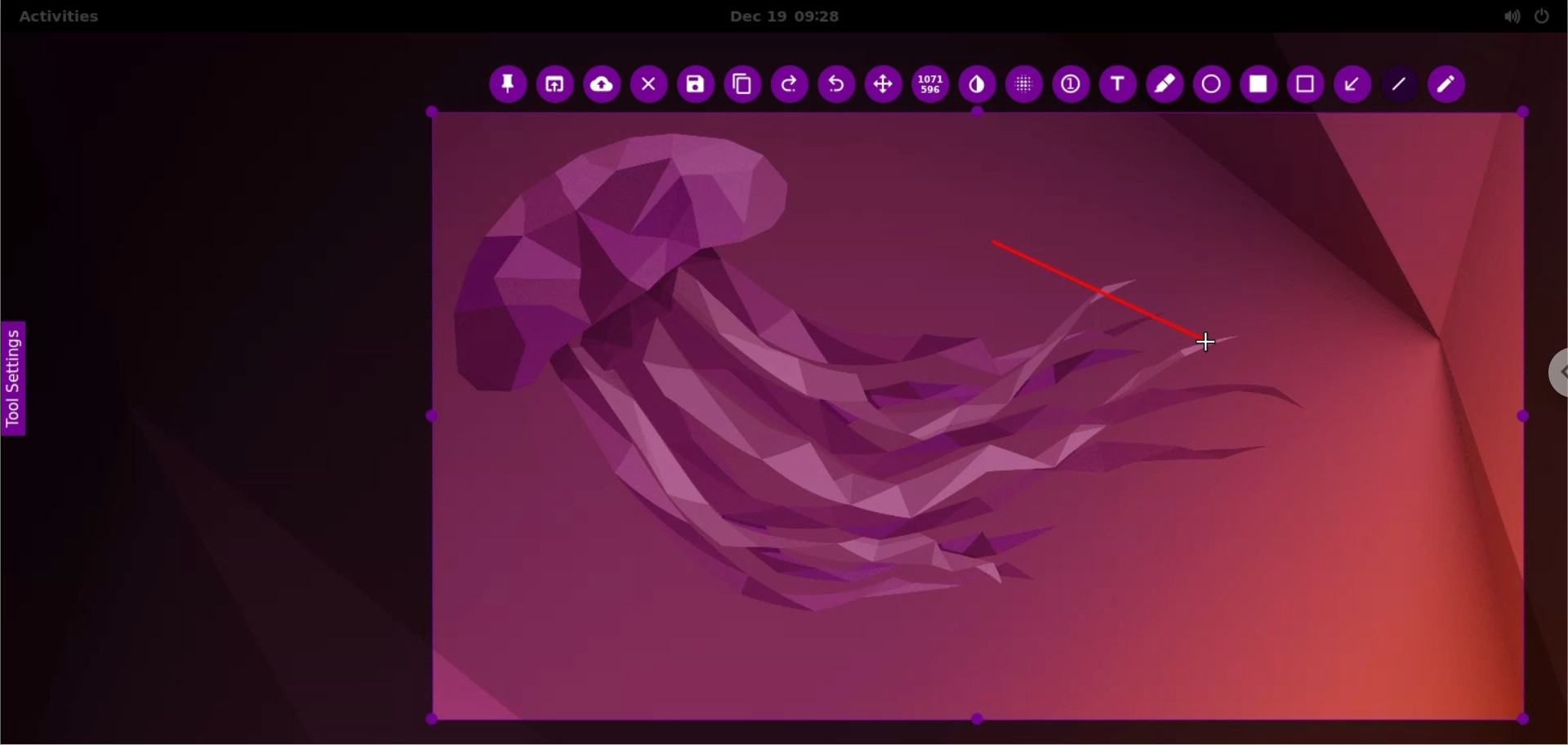 This screenshot has width=1568, height=745. What do you see at coordinates (888, 87) in the screenshot?
I see `move selection` at bounding box center [888, 87].